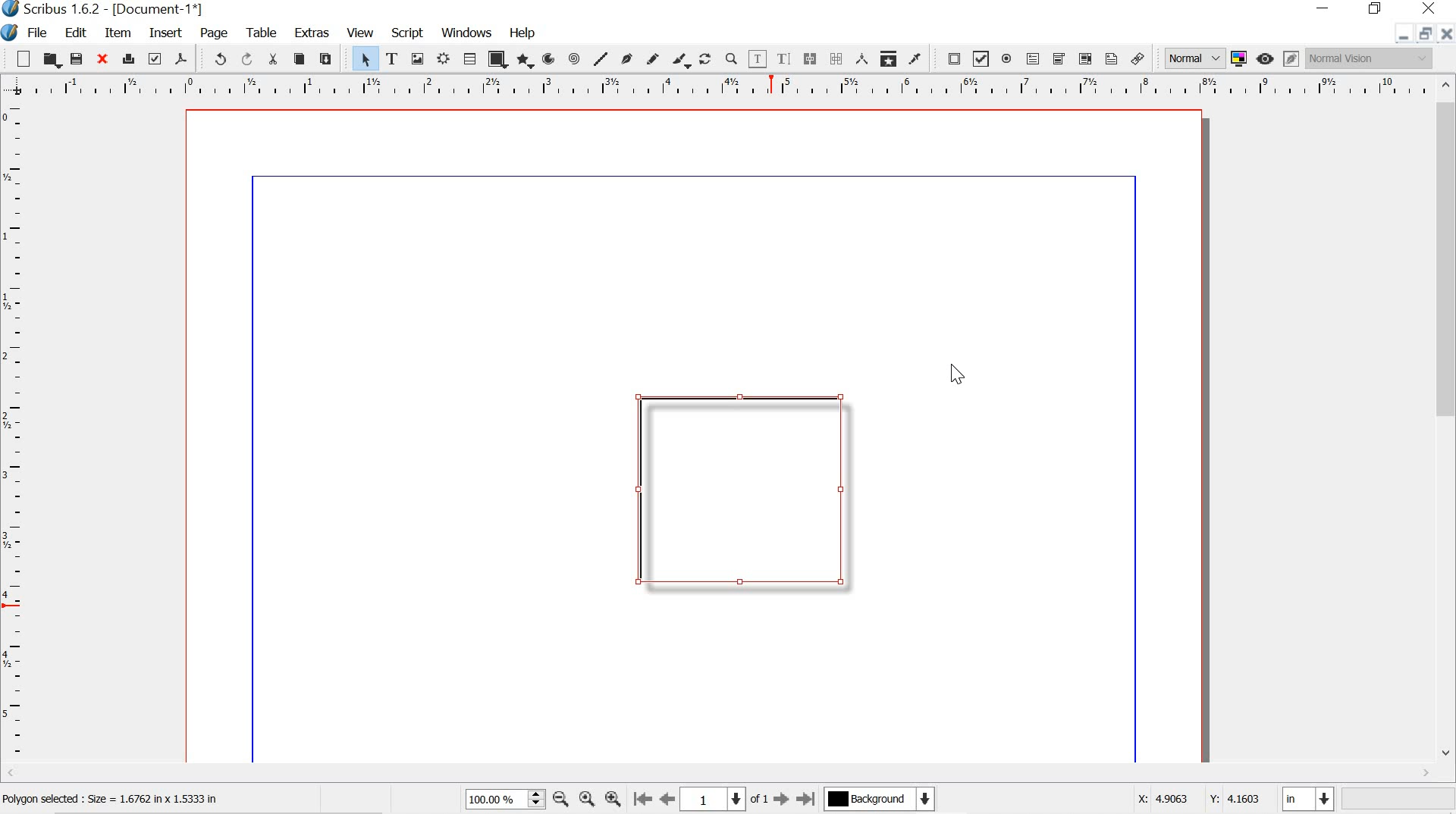  Describe the element at coordinates (548, 59) in the screenshot. I see `arc` at that location.